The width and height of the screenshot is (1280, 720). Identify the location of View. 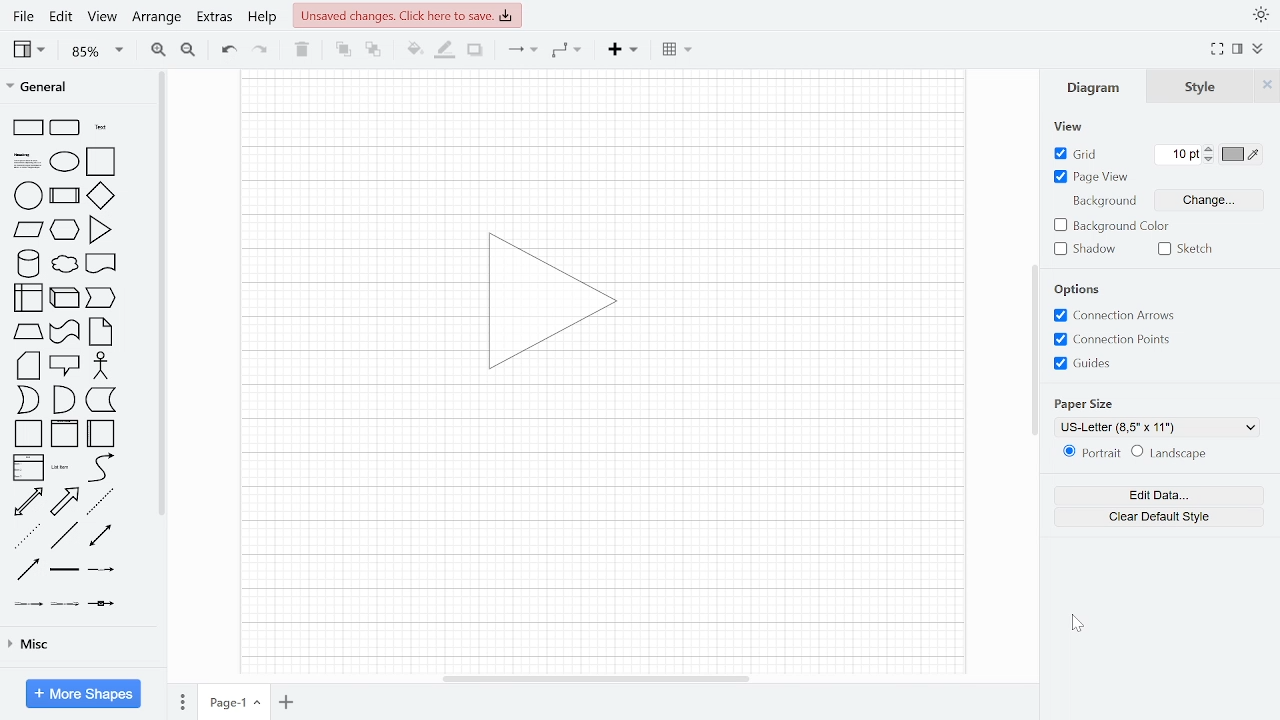
(1069, 126).